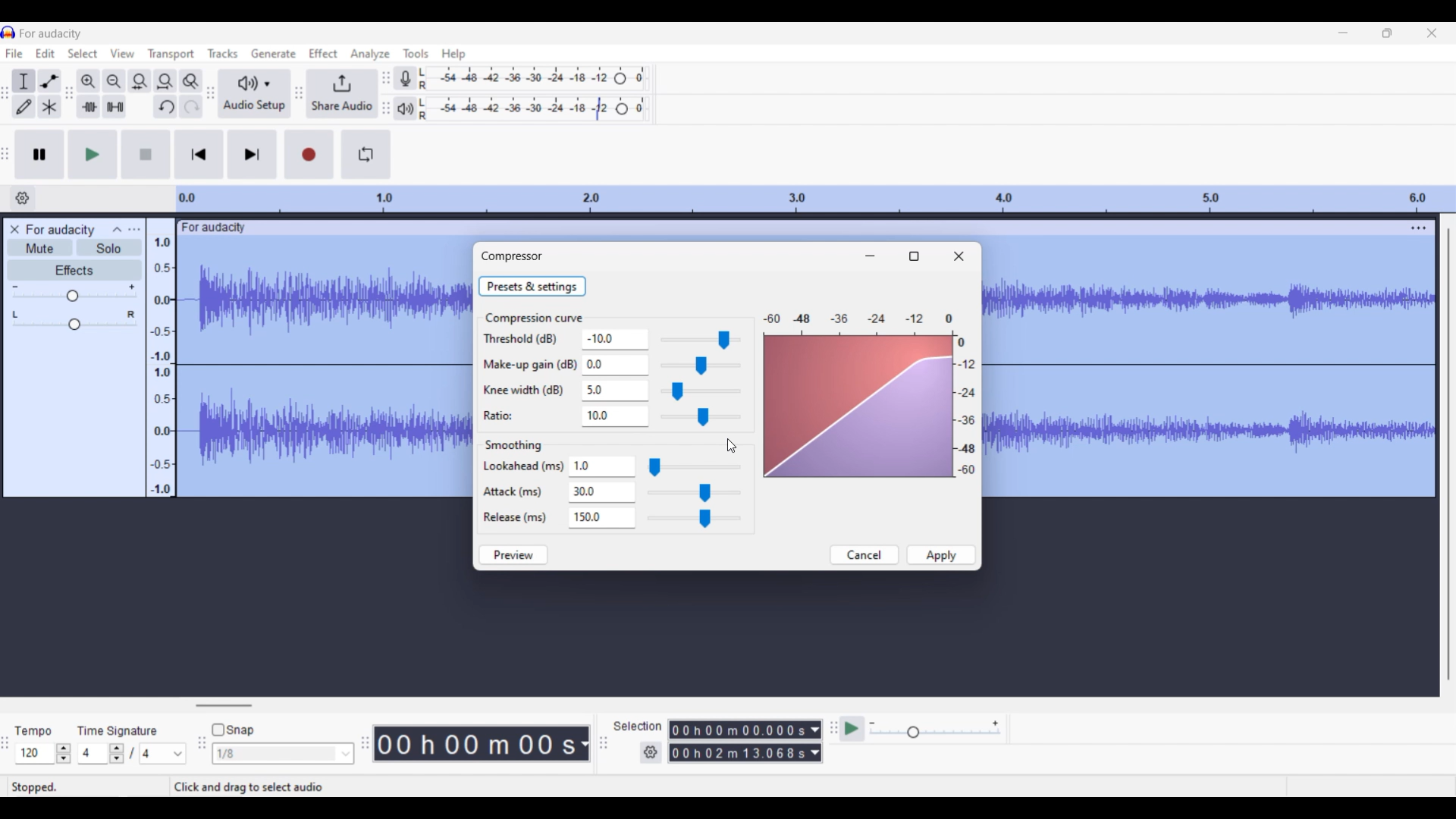  I want to click on Edit, so click(45, 53).